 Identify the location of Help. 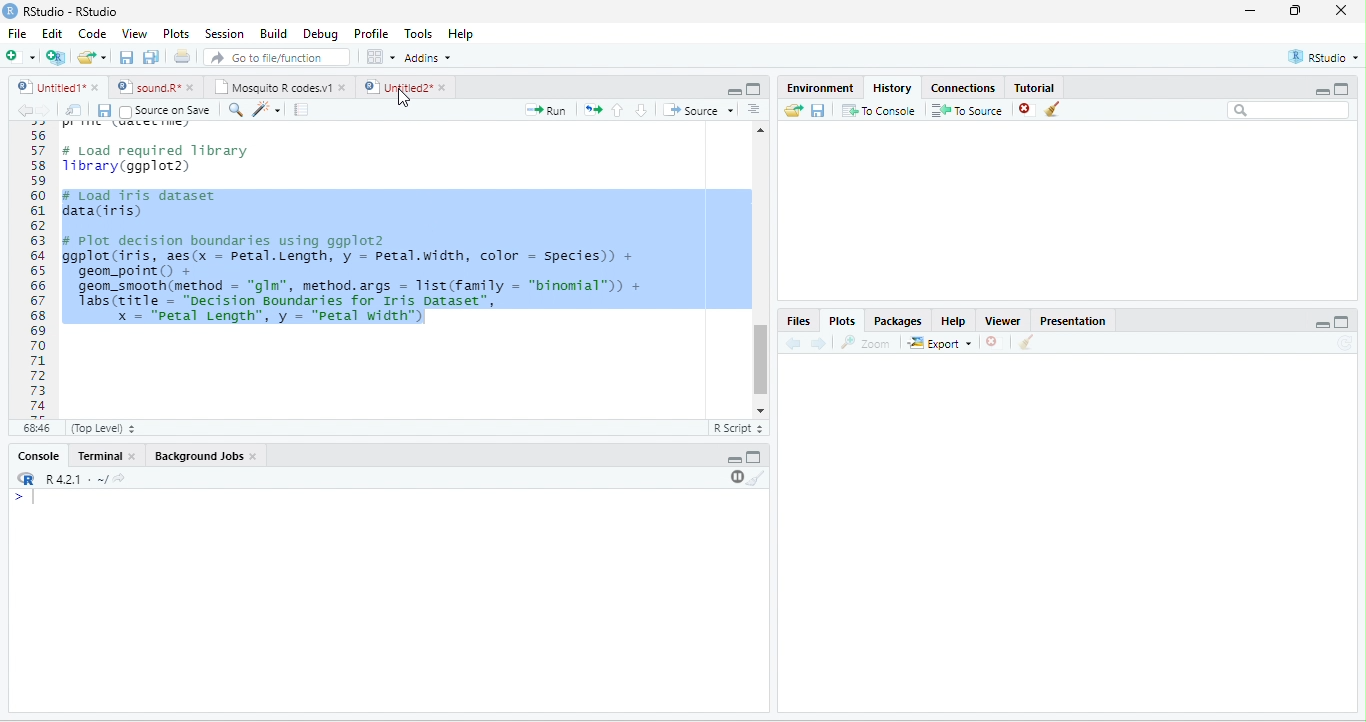
(954, 321).